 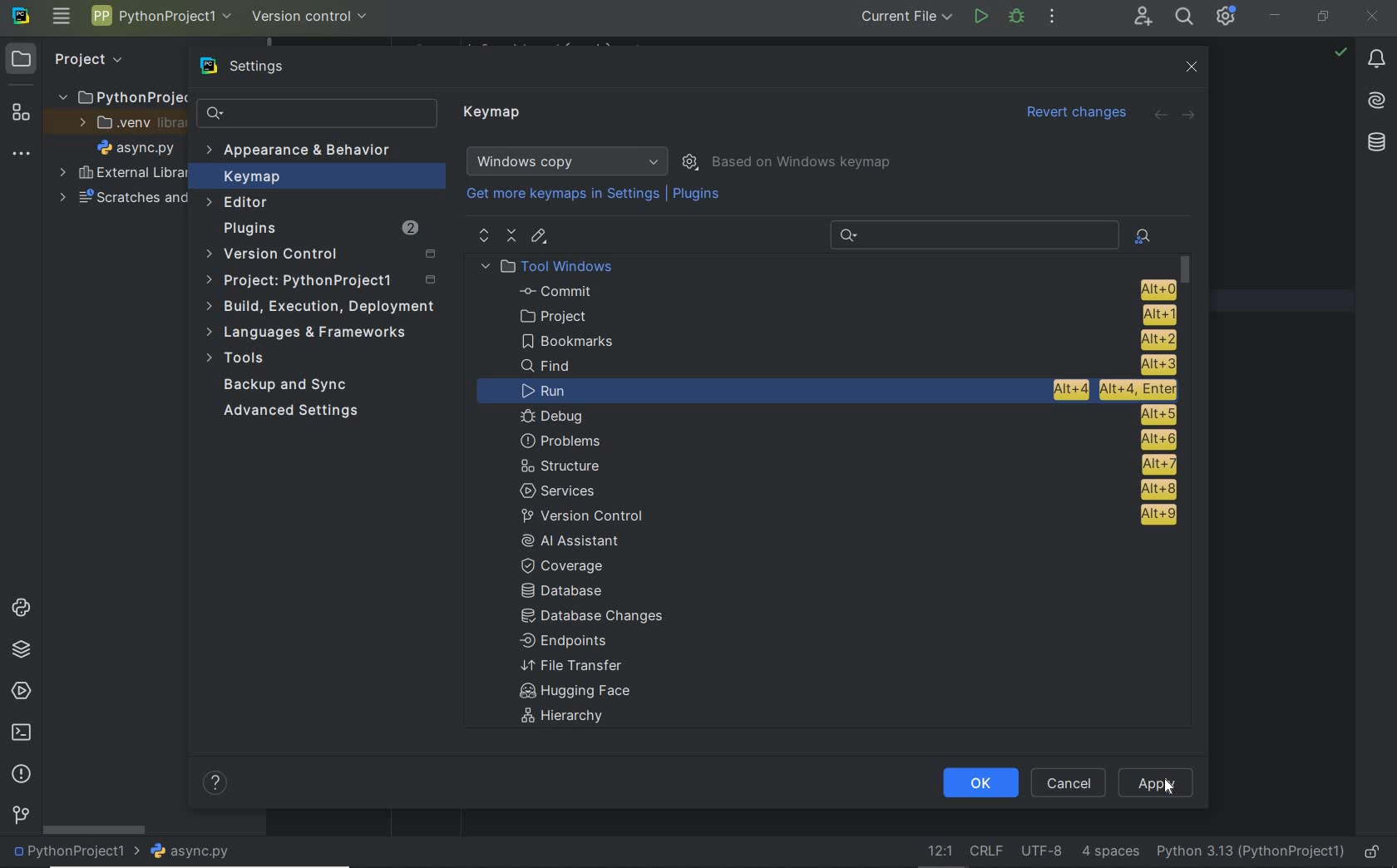 What do you see at coordinates (567, 592) in the screenshot?
I see `Database` at bounding box center [567, 592].